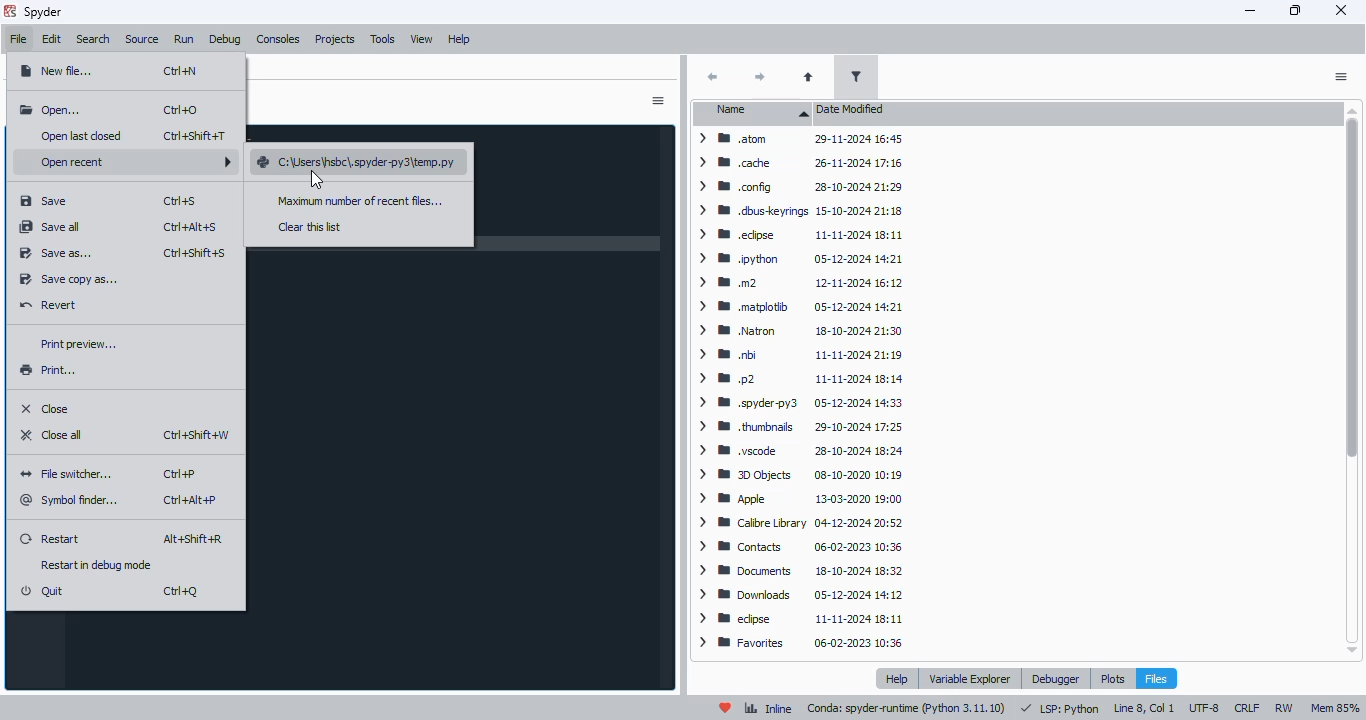  What do you see at coordinates (799, 595) in the screenshot?
I see `> WM Downloads ~~ 05-12-2024 14:12` at bounding box center [799, 595].